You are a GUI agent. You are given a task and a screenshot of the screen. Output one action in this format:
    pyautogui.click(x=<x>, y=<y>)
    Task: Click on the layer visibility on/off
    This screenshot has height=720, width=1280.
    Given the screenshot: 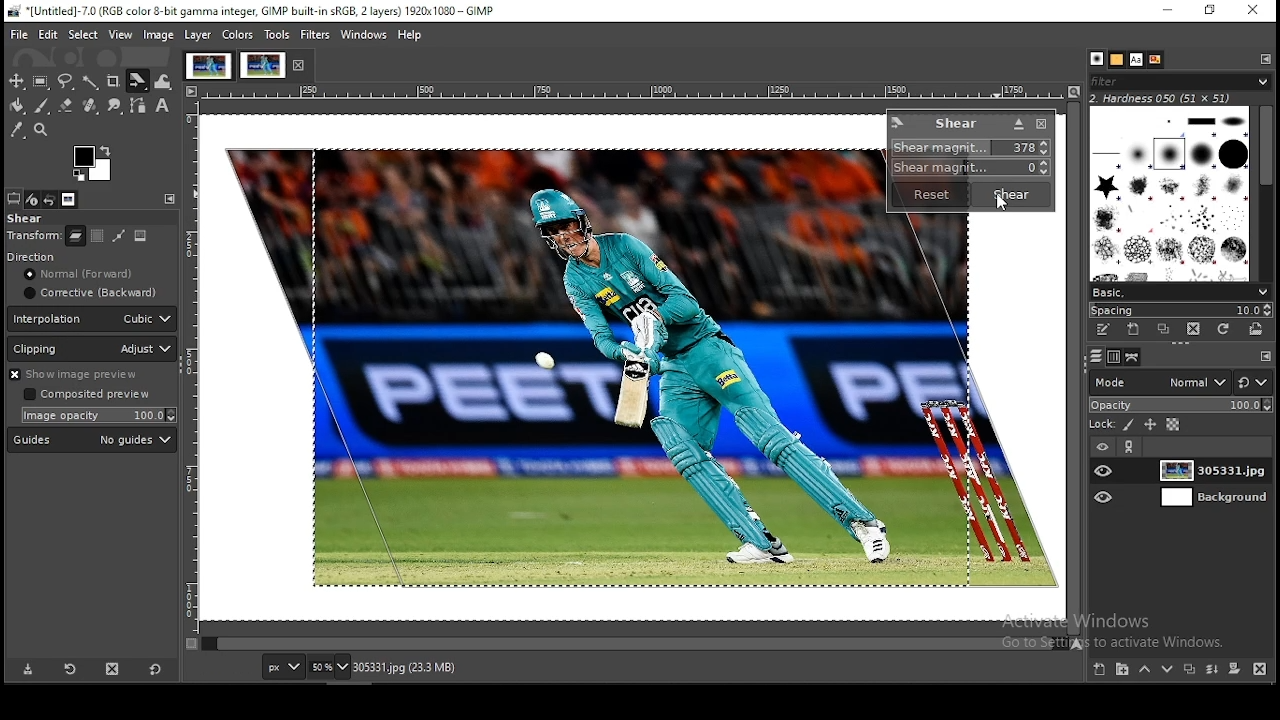 What is the action you would take?
    pyautogui.click(x=1105, y=470)
    